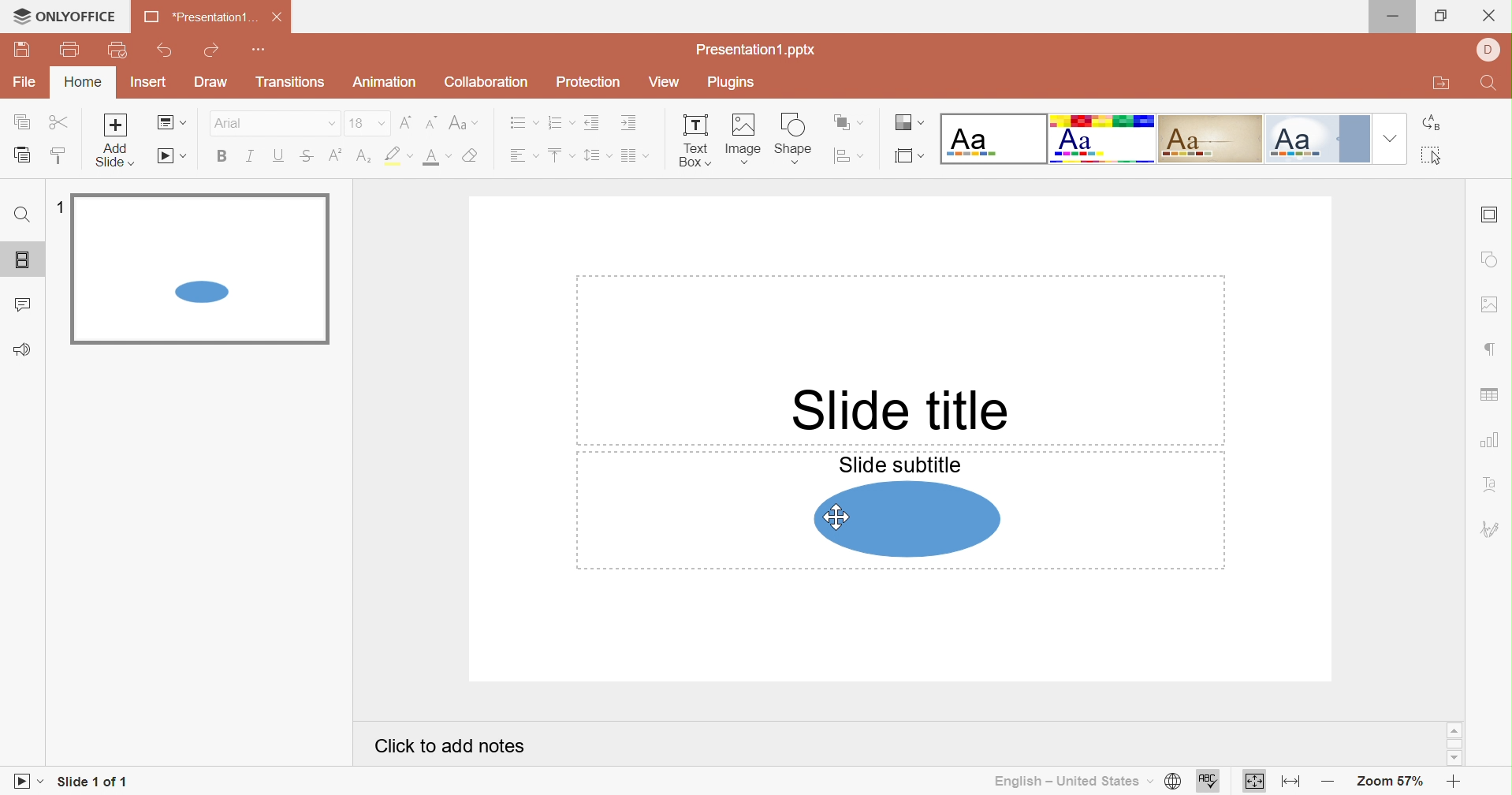  What do you see at coordinates (24, 305) in the screenshot?
I see `Comments` at bounding box center [24, 305].